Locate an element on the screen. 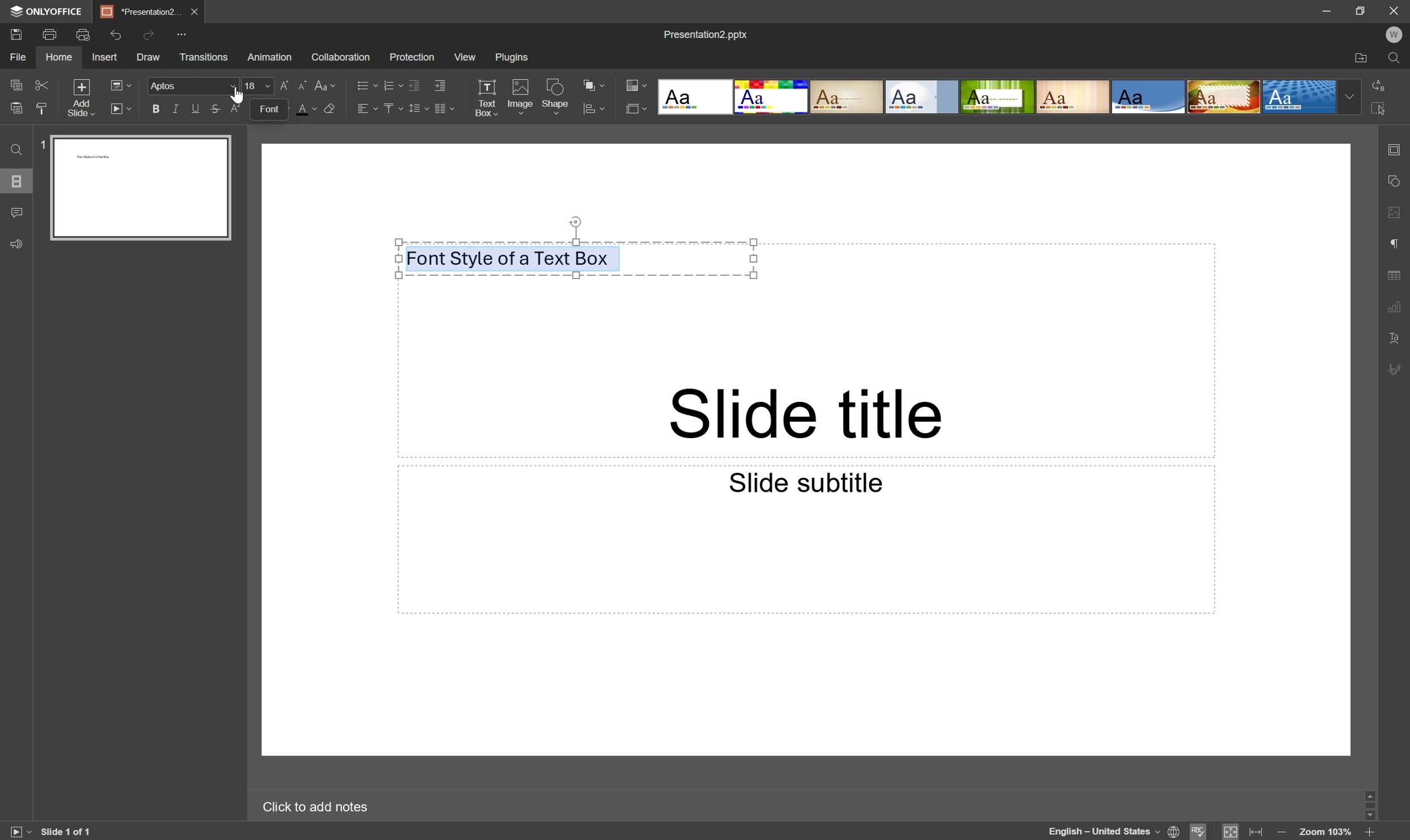  Table settings is located at coordinates (1399, 274).